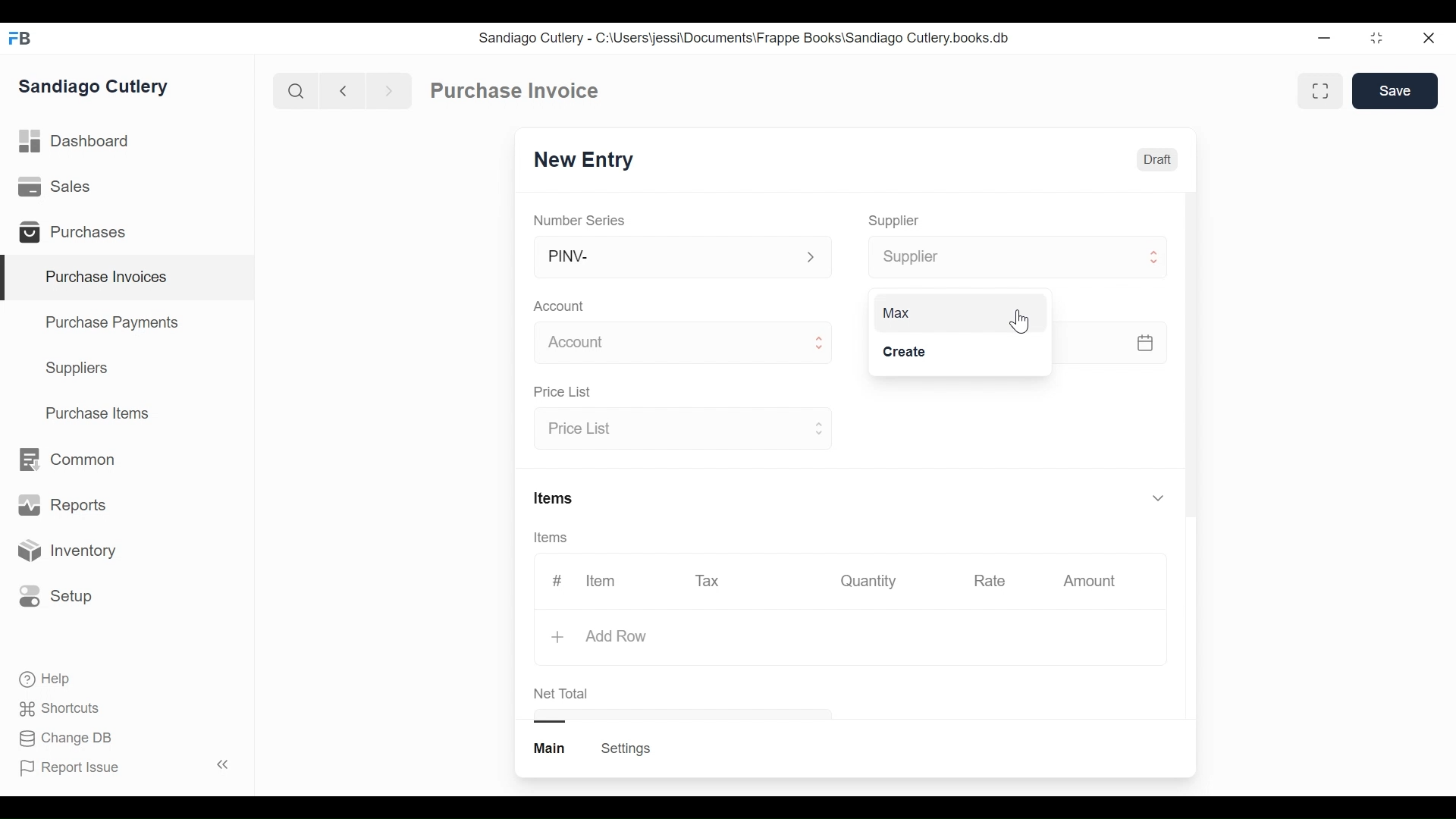 This screenshot has width=1456, height=819. Describe the element at coordinates (664, 257) in the screenshot. I see `PINV-` at that location.